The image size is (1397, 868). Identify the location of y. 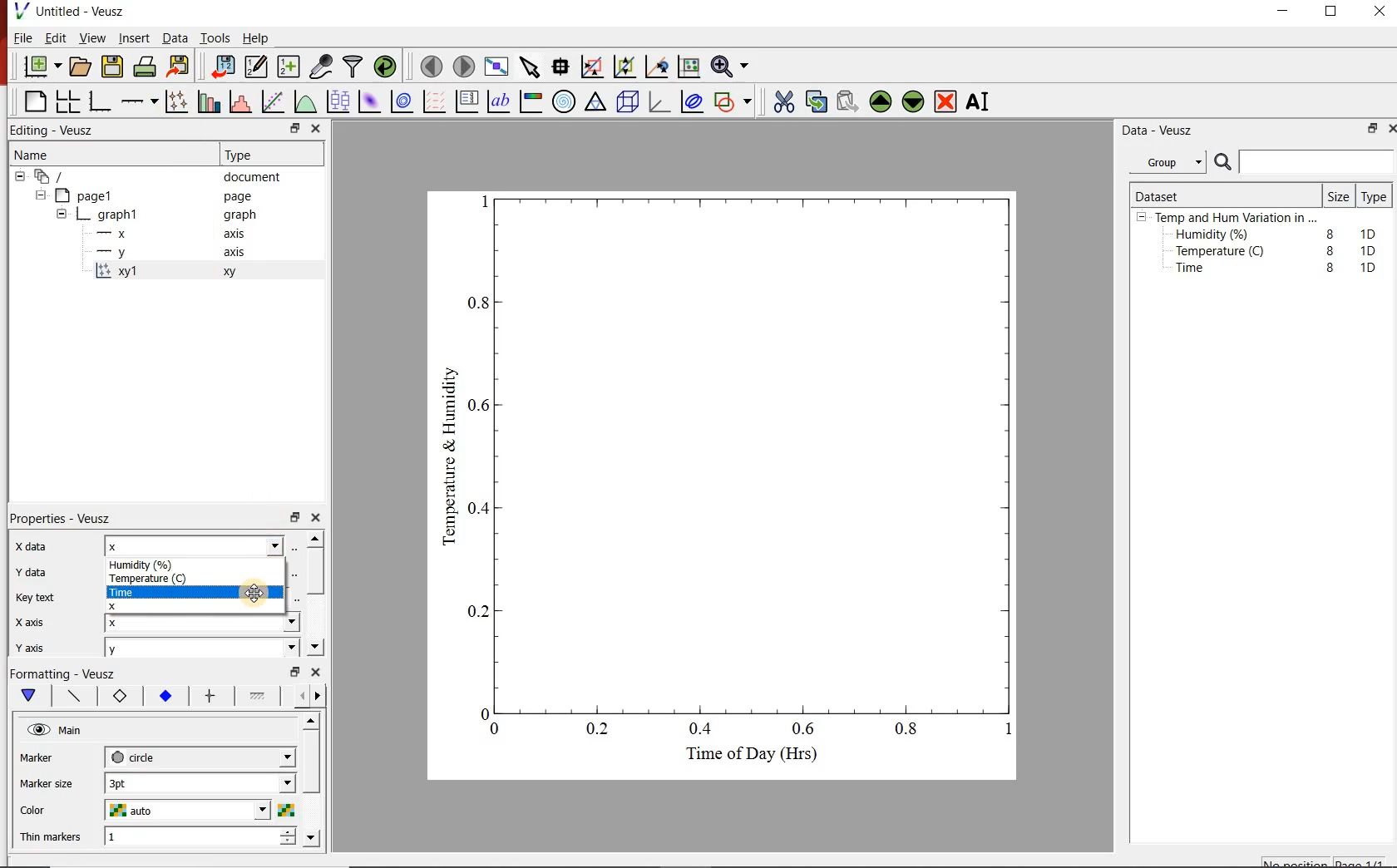
(126, 252).